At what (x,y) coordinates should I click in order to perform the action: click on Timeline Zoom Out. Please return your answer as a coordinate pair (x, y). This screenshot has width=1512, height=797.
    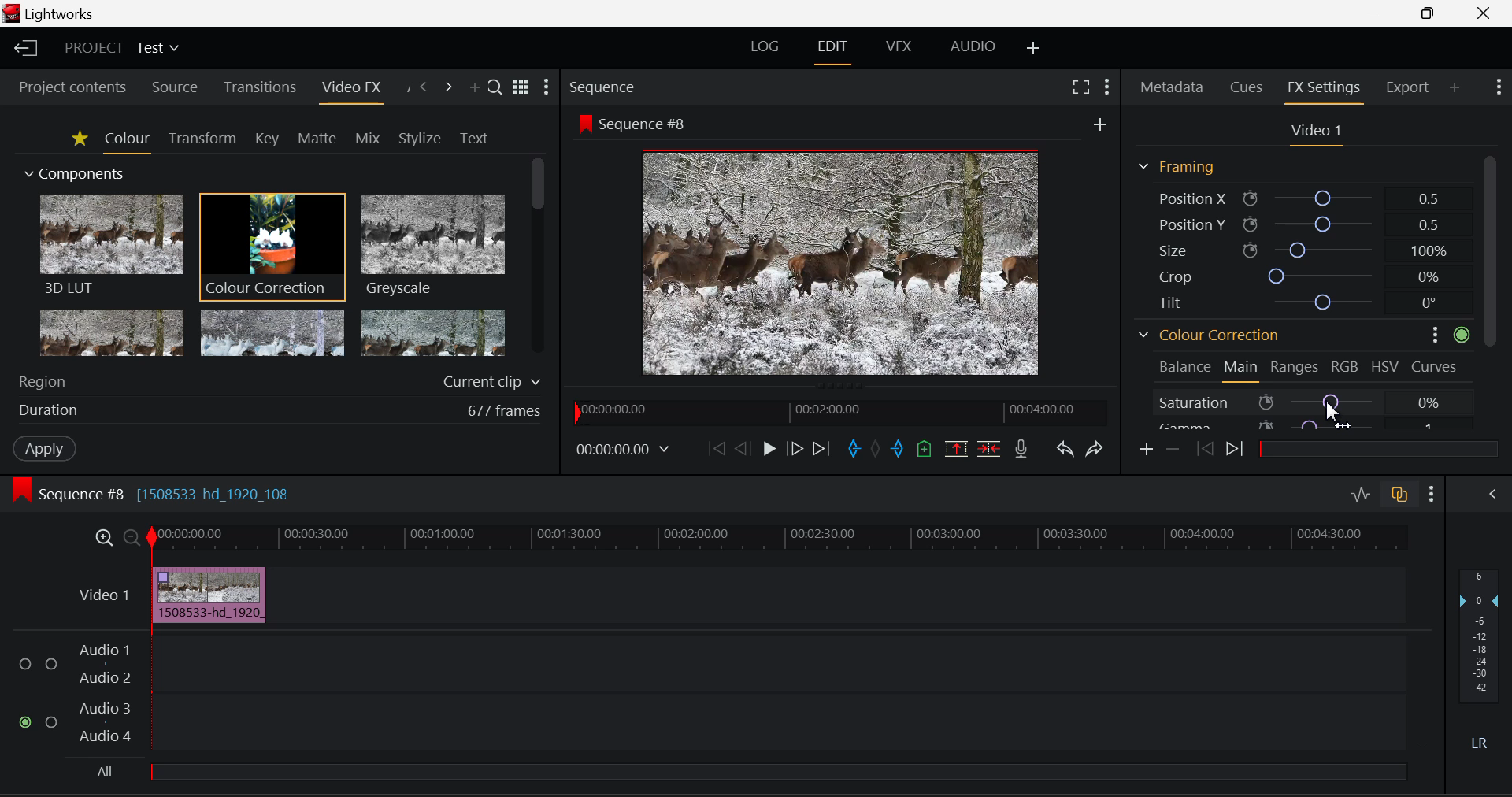
    Looking at the image, I should click on (132, 539).